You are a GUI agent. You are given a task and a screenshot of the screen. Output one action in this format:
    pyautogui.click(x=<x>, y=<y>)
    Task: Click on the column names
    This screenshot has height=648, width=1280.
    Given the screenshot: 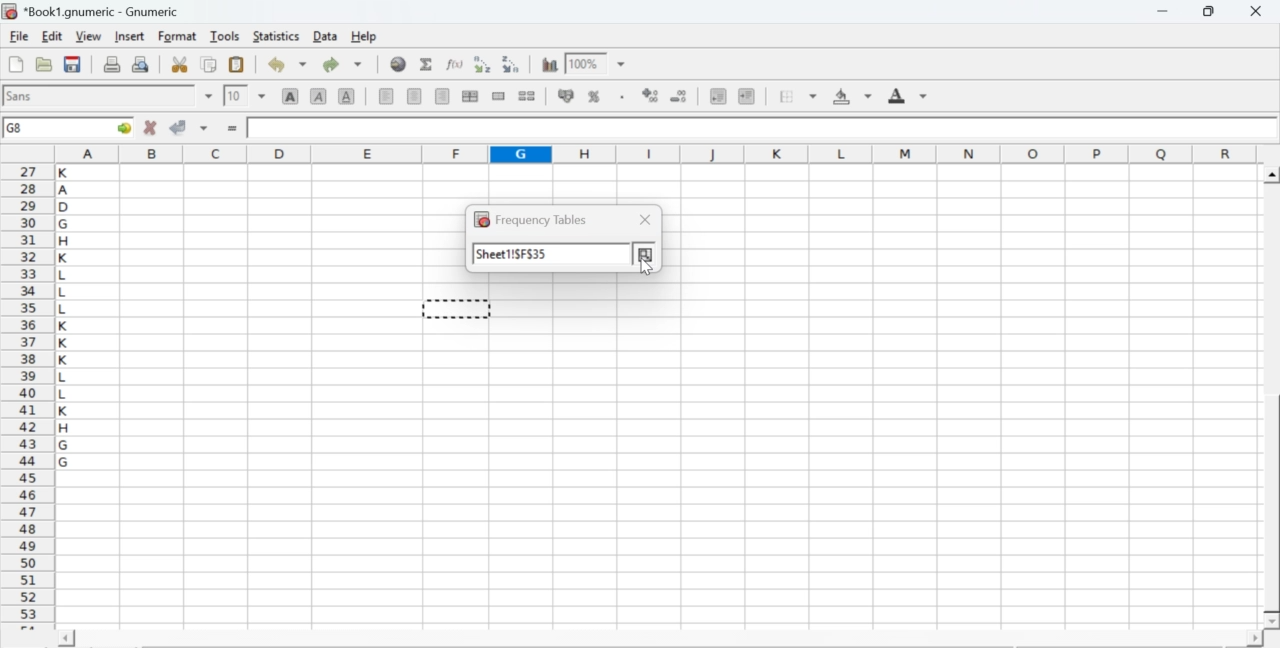 What is the action you would take?
    pyautogui.click(x=653, y=152)
    